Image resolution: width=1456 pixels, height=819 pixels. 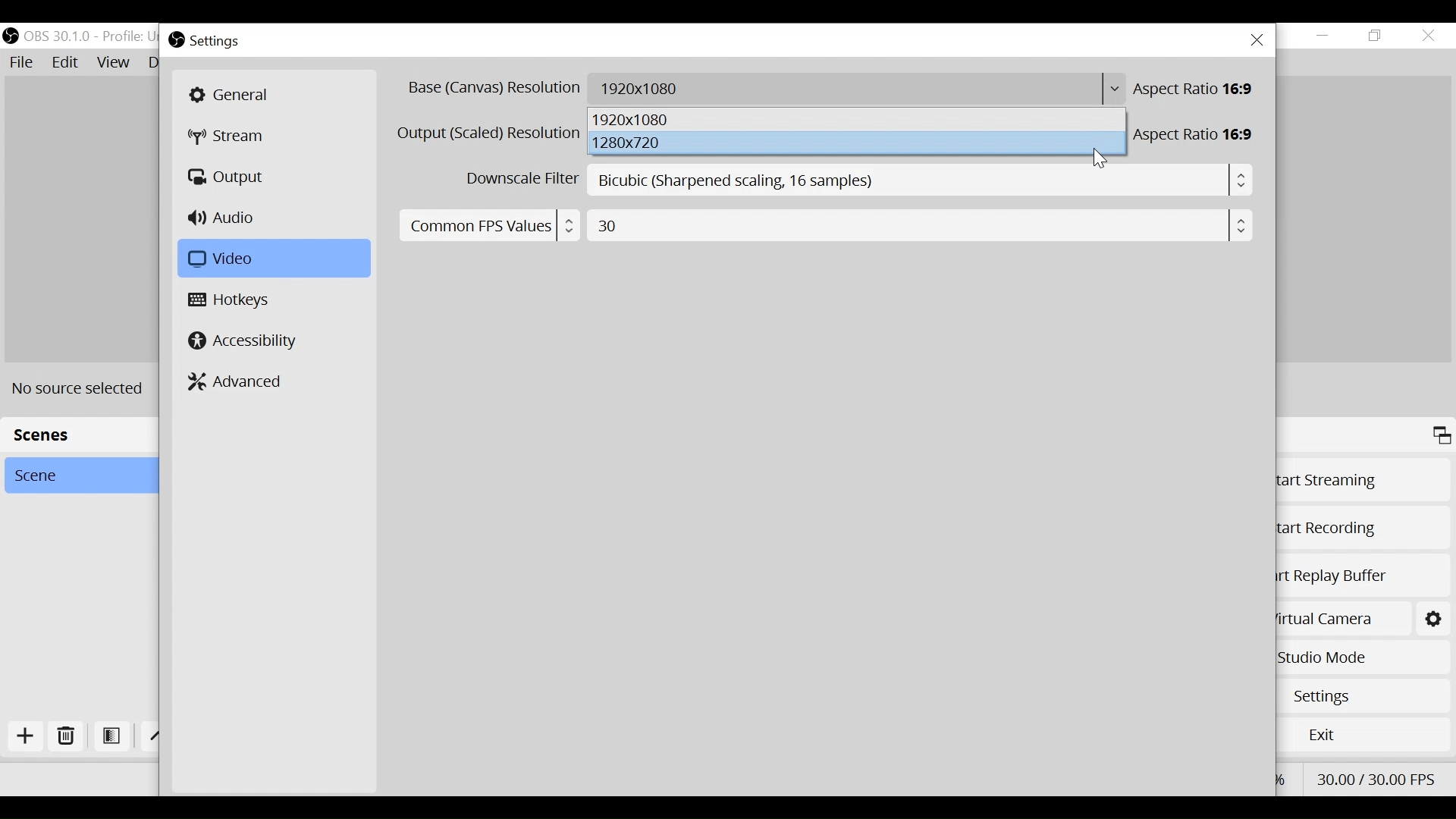 I want to click on General, so click(x=272, y=95).